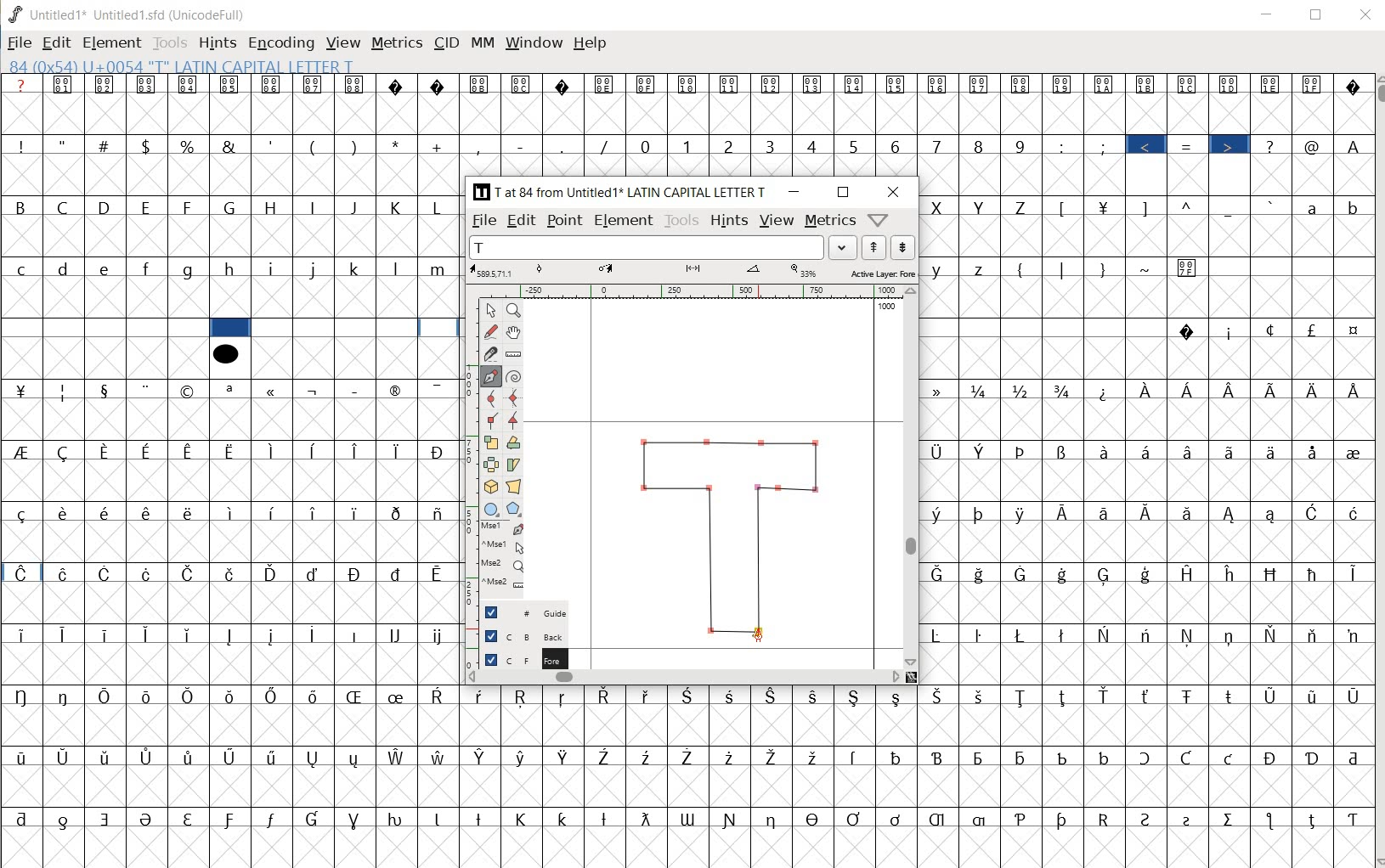 This screenshot has height=868, width=1385. Describe the element at coordinates (1105, 574) in the screenshot. I see `Symbol` at that location.